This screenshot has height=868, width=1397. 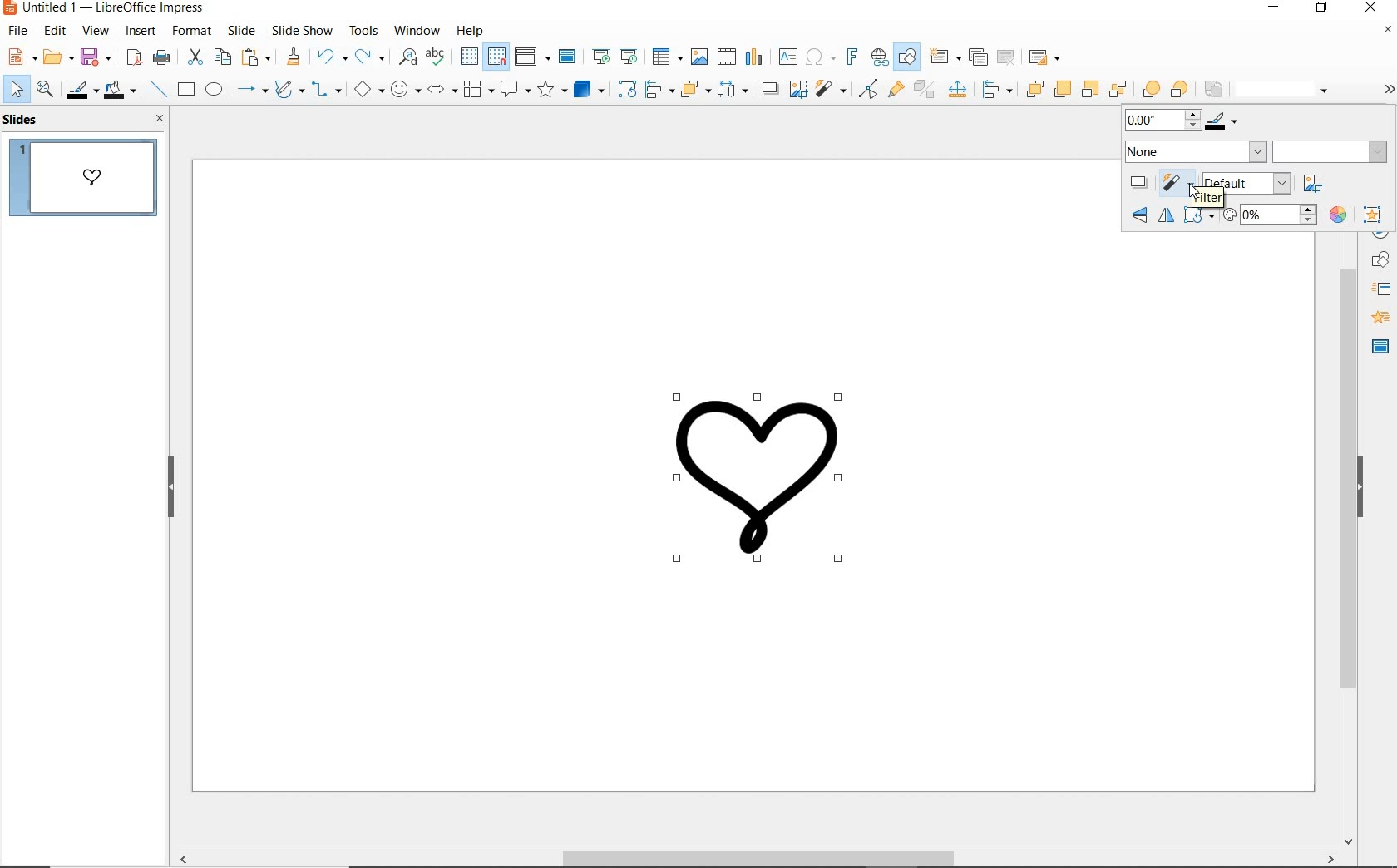 What do you see at coordinates (924, 91) in the screenshot?
I see `toggle extrusion` at bounding box center [924, 91].